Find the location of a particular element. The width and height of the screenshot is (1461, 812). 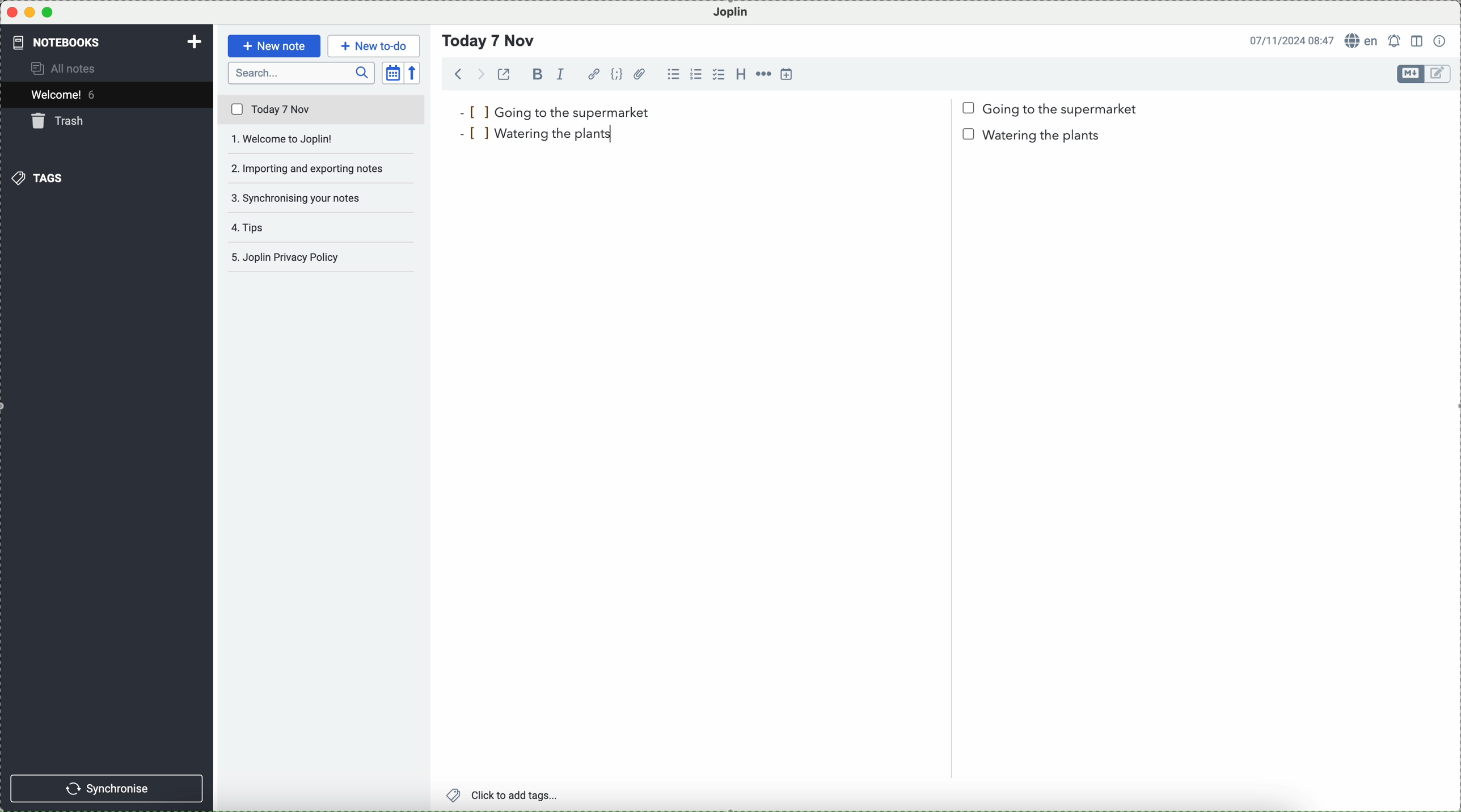

synchronise button is located at coordinates (106, 789).